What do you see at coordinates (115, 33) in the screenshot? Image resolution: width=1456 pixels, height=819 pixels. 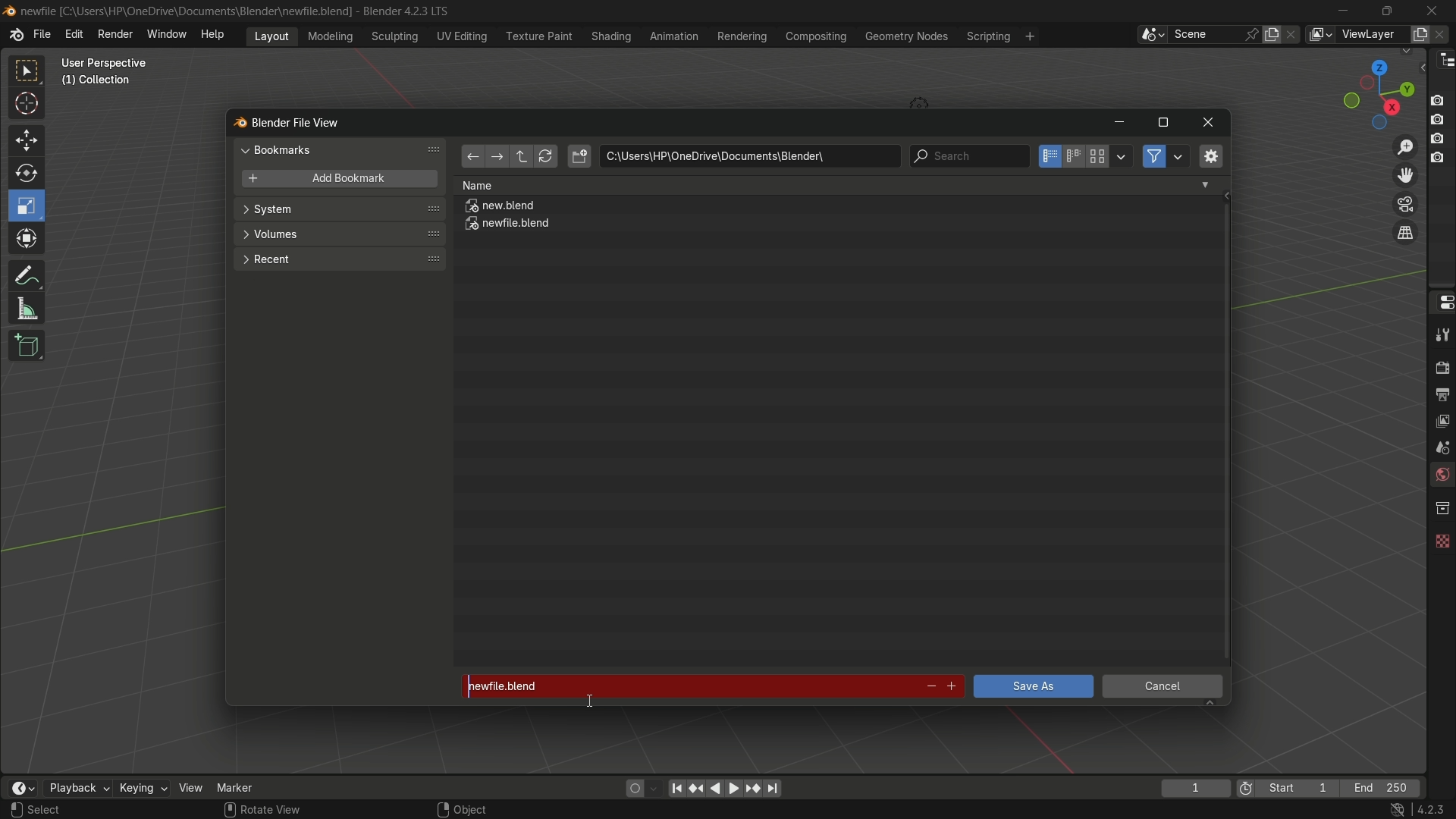 I see `render menu` at bounding box center [115, 33].